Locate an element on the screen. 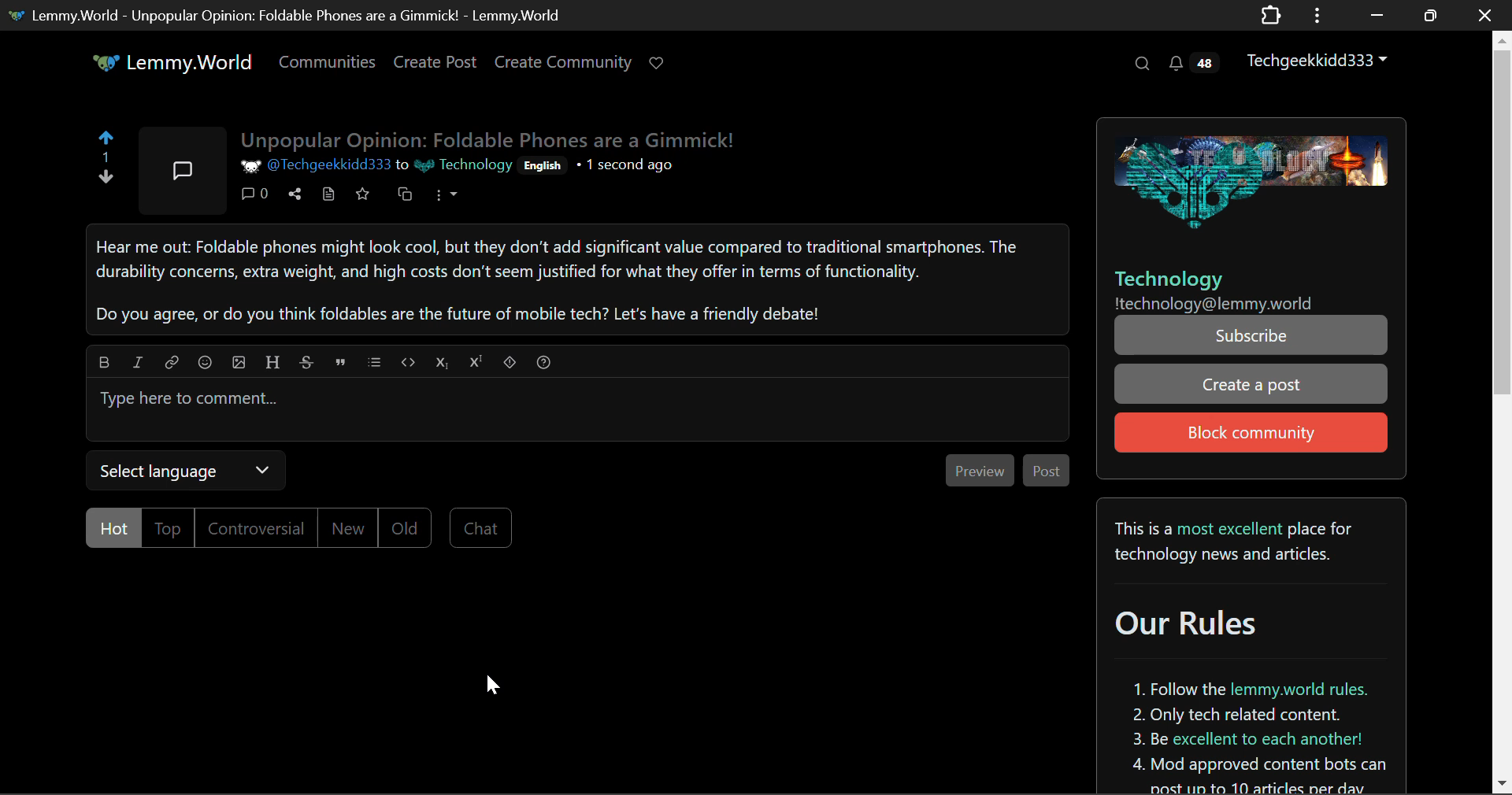 Image resolution: width=1512 pixels, height=795 pixels. Controversial Comment Filter Unselected is located at coordinates (258, 529).